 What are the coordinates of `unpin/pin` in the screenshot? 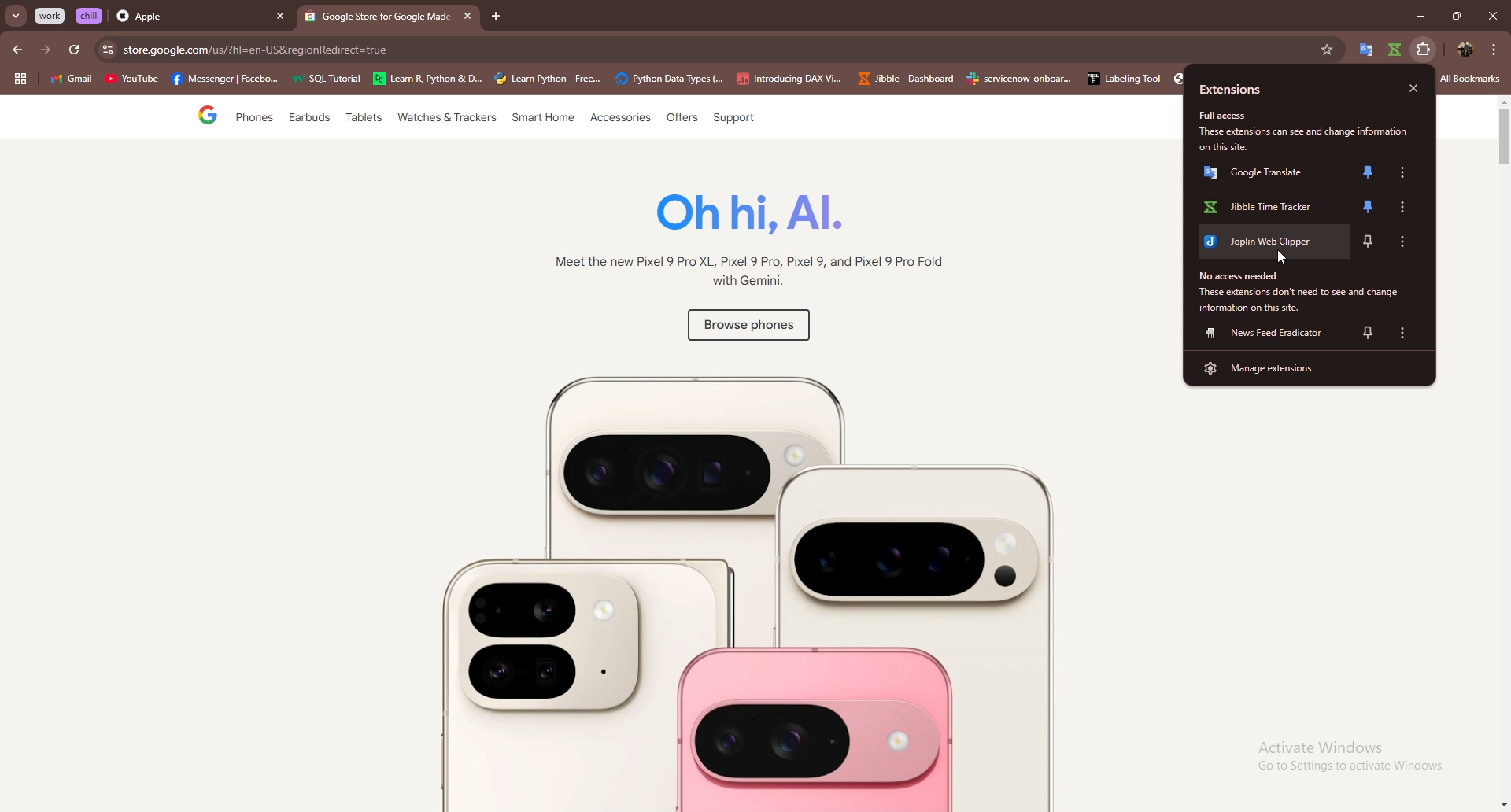 It's located at (1369, 172).